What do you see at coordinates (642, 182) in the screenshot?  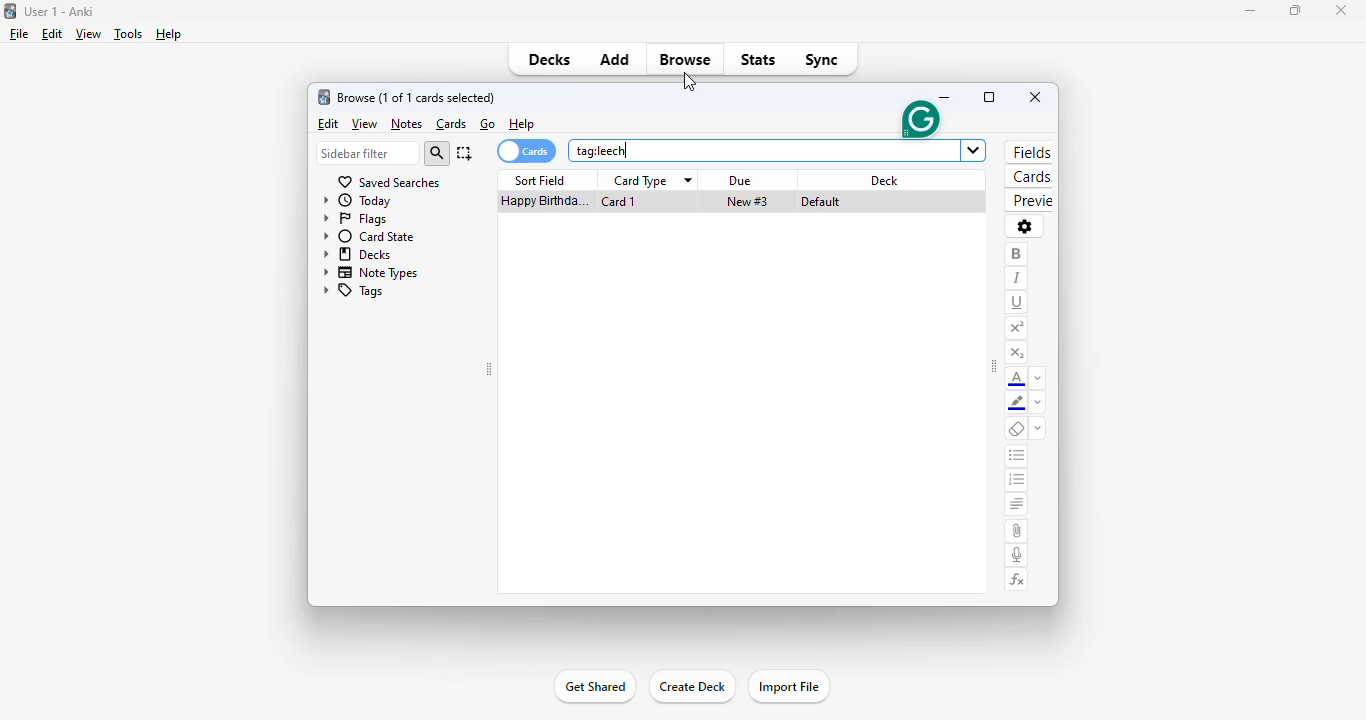 I see `card type` at bounding box center [642, 182].